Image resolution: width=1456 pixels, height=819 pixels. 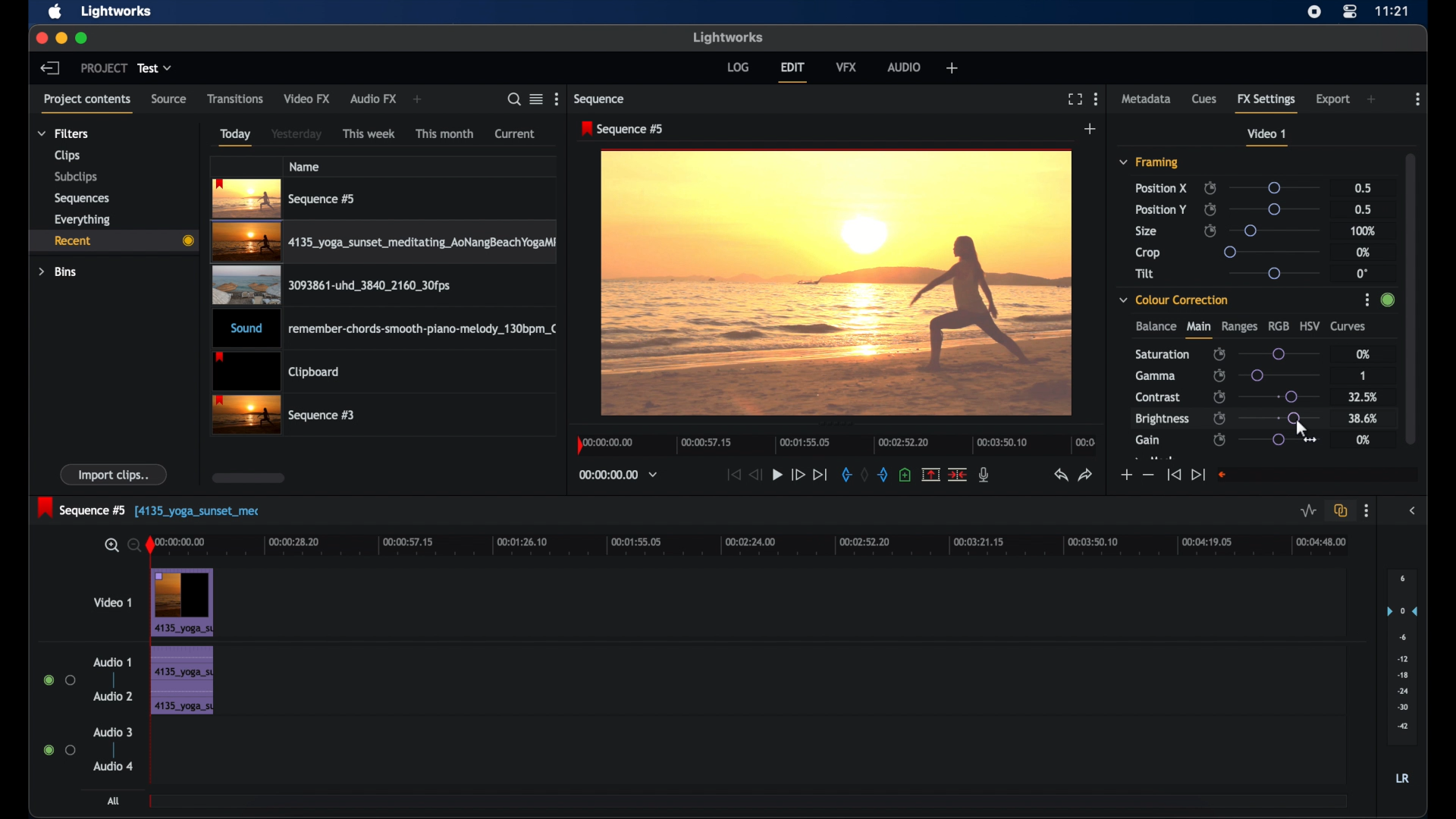 What do you see at coordinates (114, 695) in the screenshot?
I see `audio 2` at bounding box center [114, 695].